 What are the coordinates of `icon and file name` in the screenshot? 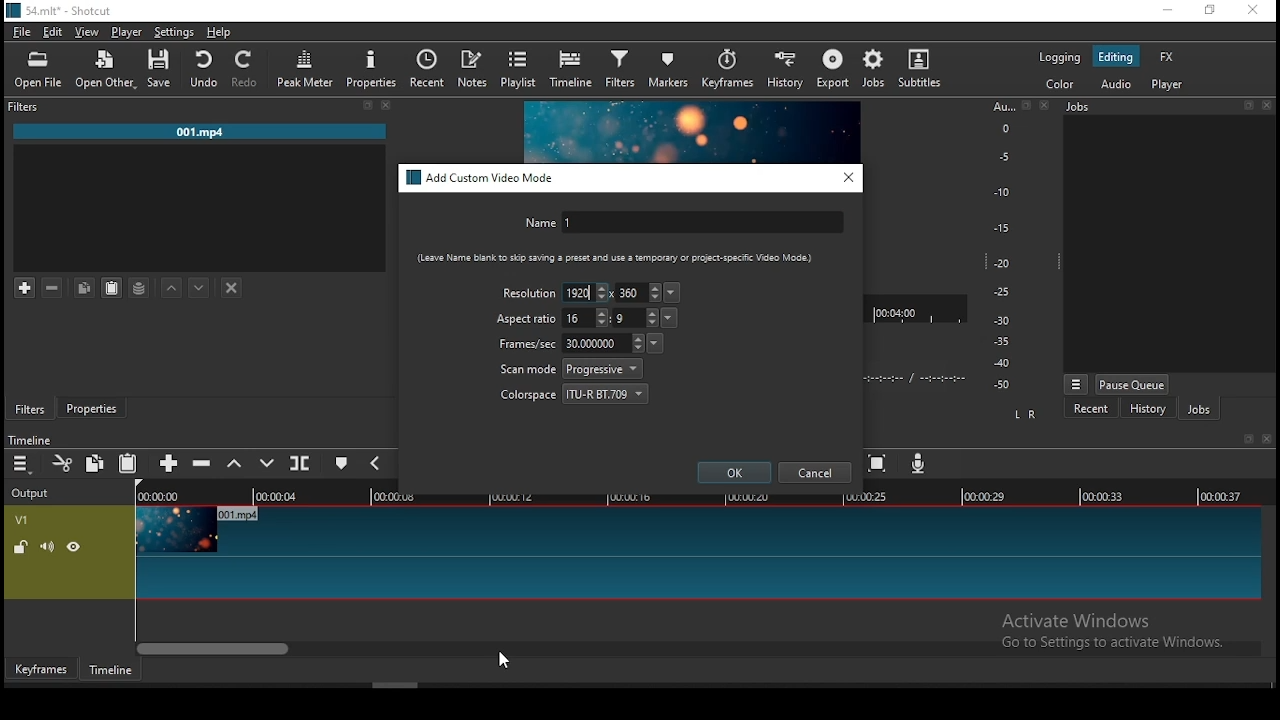 It's located at (62, 9).